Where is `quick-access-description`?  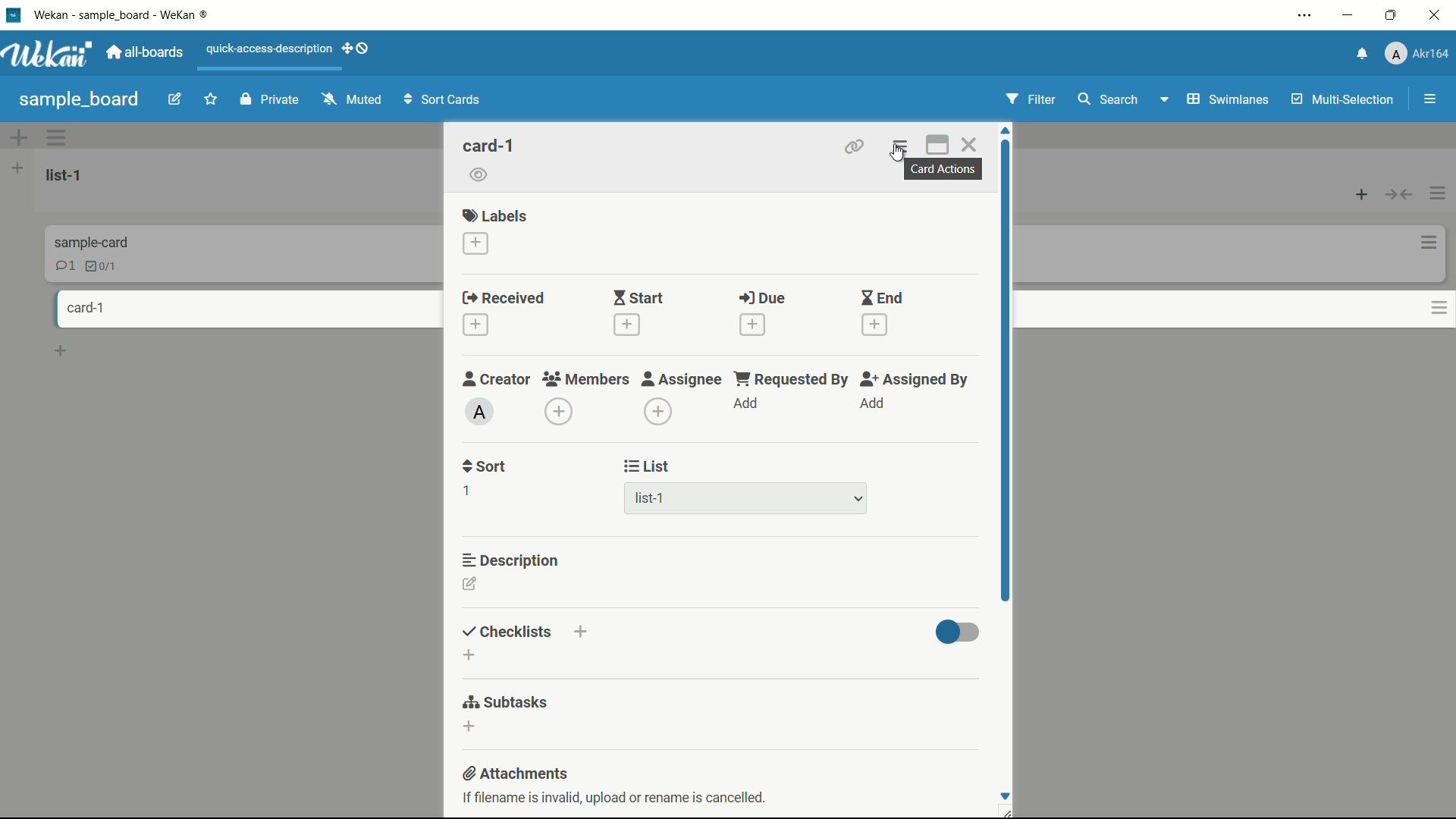 quick-access-description is located at coordinates (266, 48).